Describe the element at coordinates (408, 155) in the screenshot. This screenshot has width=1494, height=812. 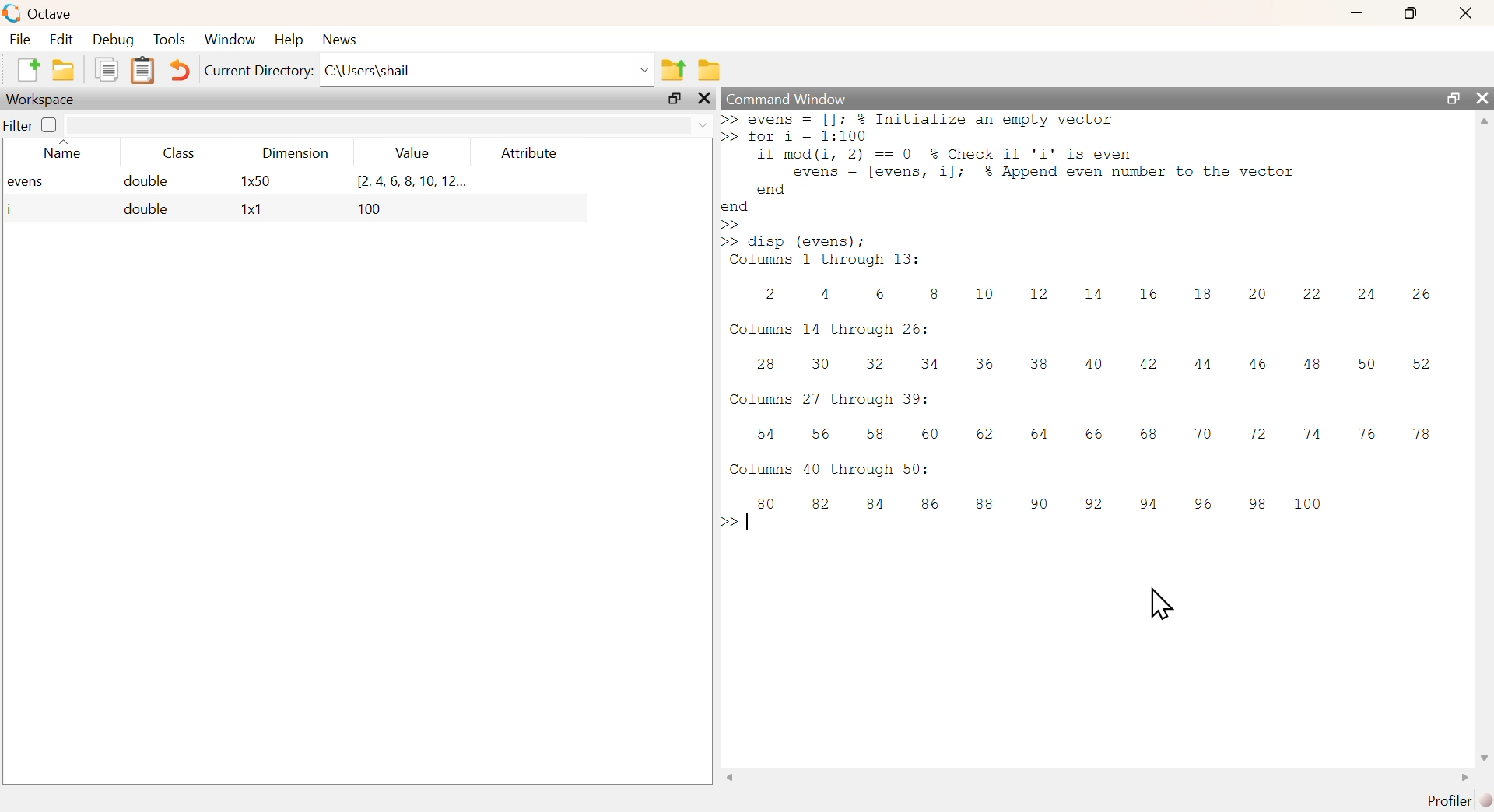
I see `value` at that location.